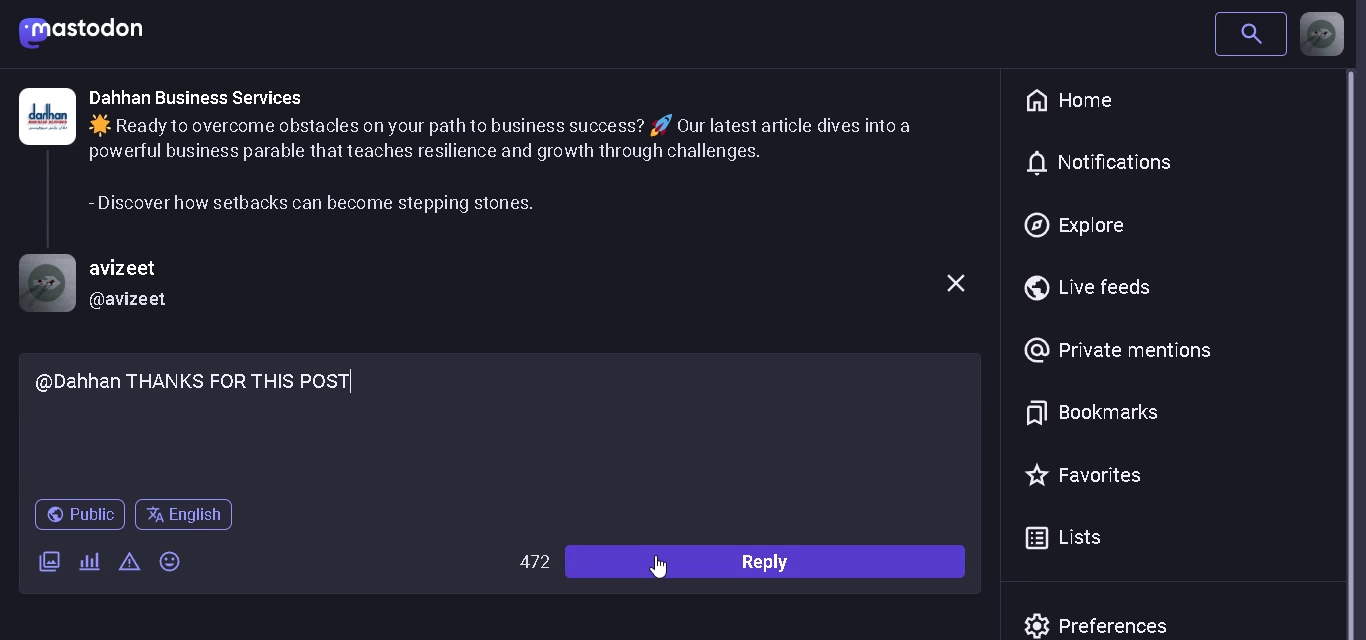 This screenshot has width=1366, height=640. Describe the element at coordinates (771, 561) in the screenshot. I see `reply bar` at that location.